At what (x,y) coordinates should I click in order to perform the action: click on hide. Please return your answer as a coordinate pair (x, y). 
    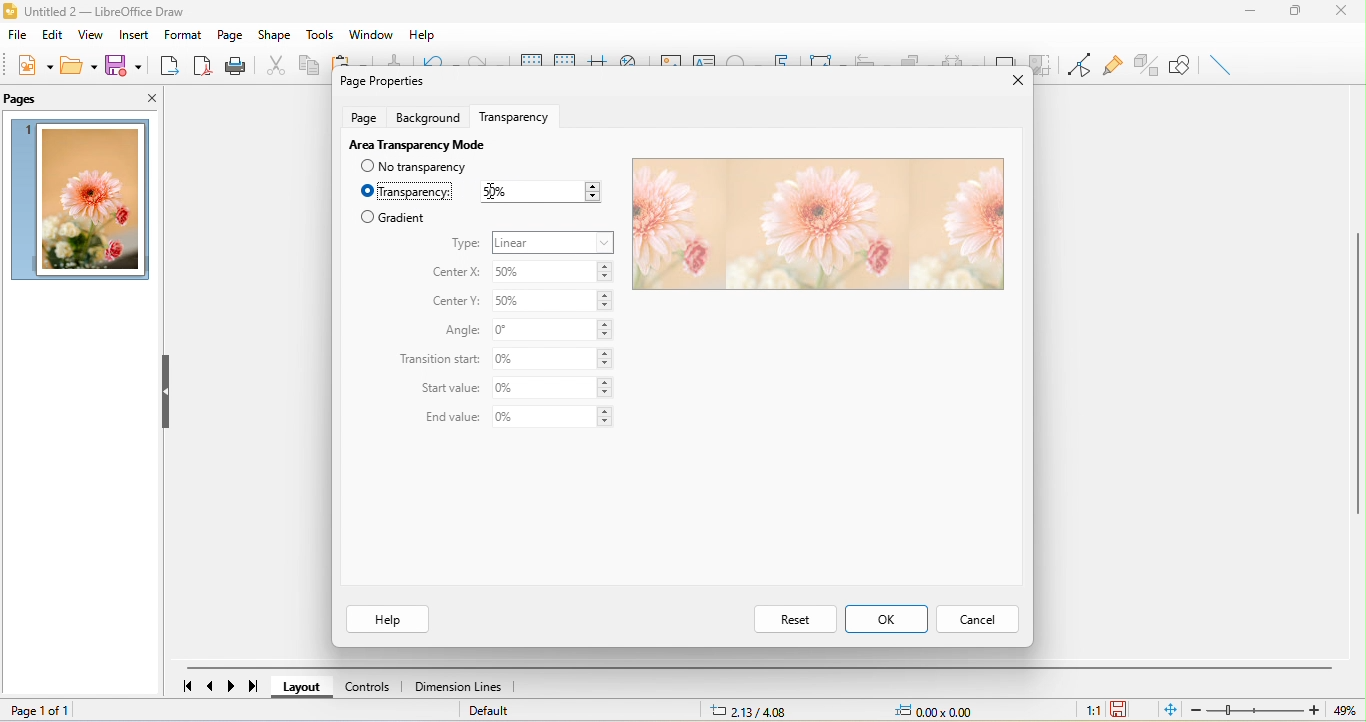
    Looking at the image, I should click on (169, 394).